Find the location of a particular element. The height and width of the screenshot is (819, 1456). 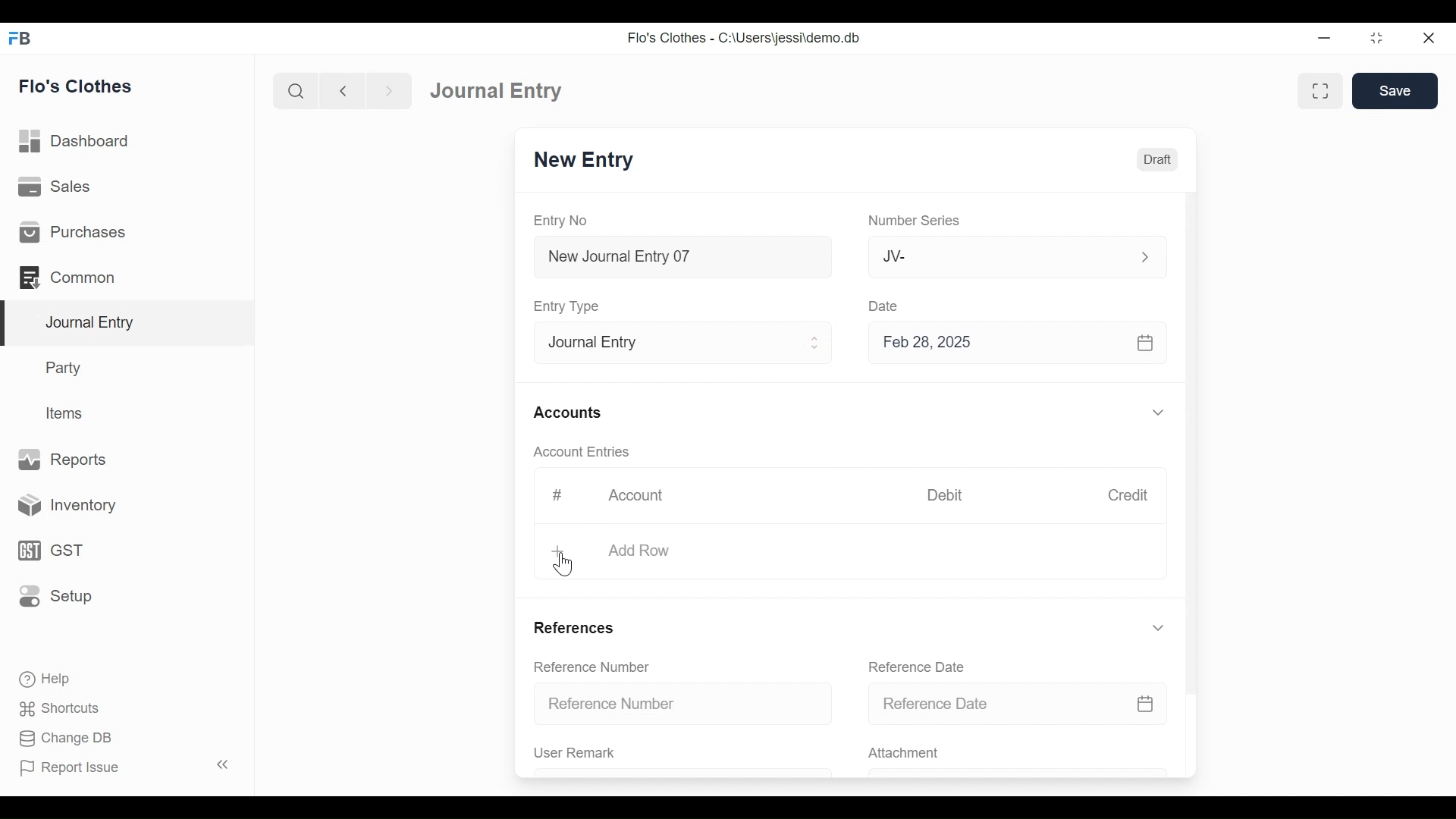

Reference Date is located at coordinates (915, 667).